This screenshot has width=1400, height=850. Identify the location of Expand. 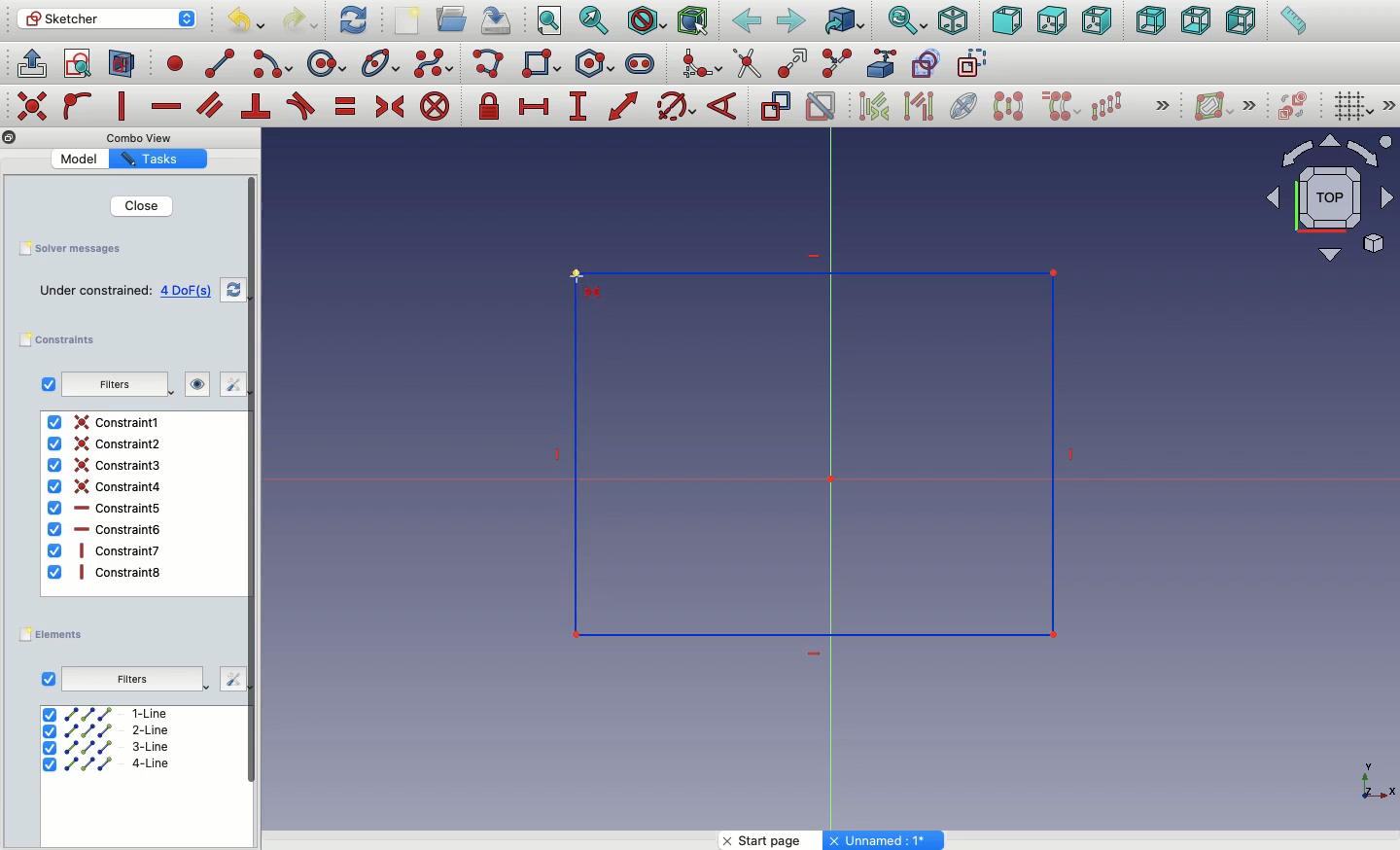
(1163, 107).